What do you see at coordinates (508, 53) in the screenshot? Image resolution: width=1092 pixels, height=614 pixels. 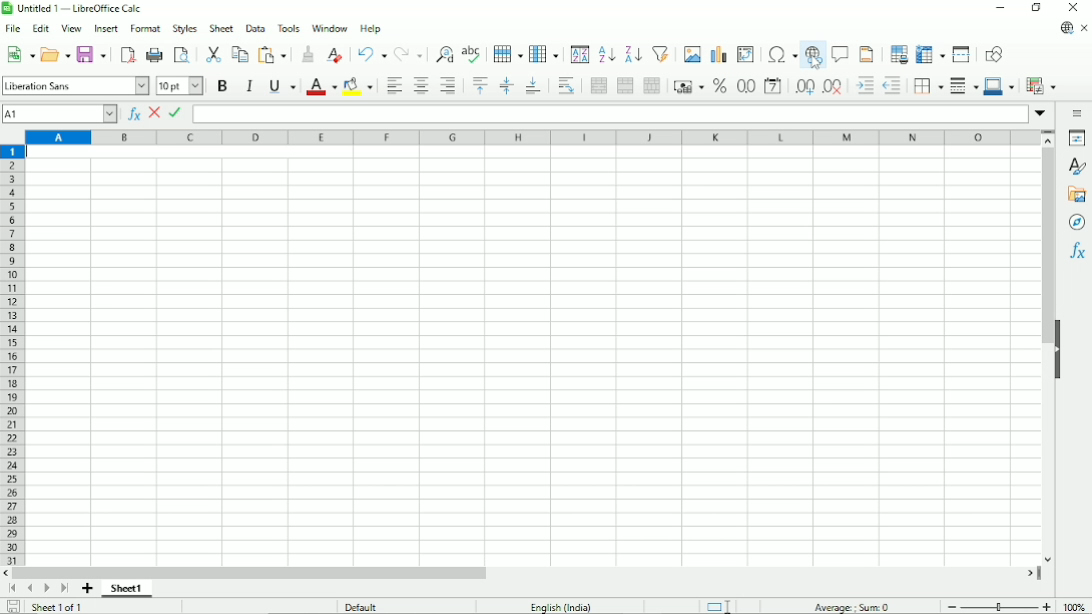 I see `Row` at bounding box center [508, 53].